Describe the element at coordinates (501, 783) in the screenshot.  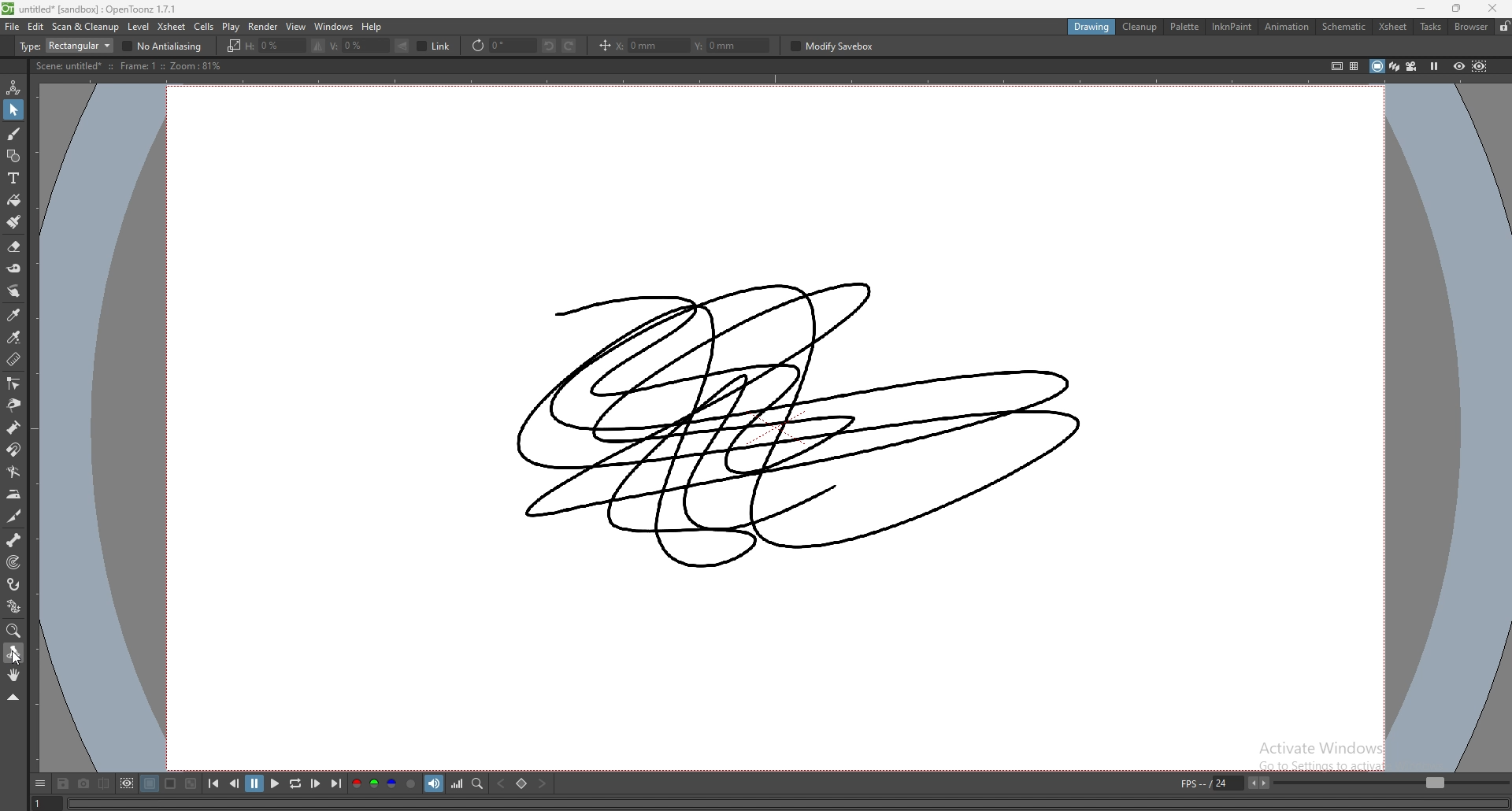
I see `previous key` at that location.